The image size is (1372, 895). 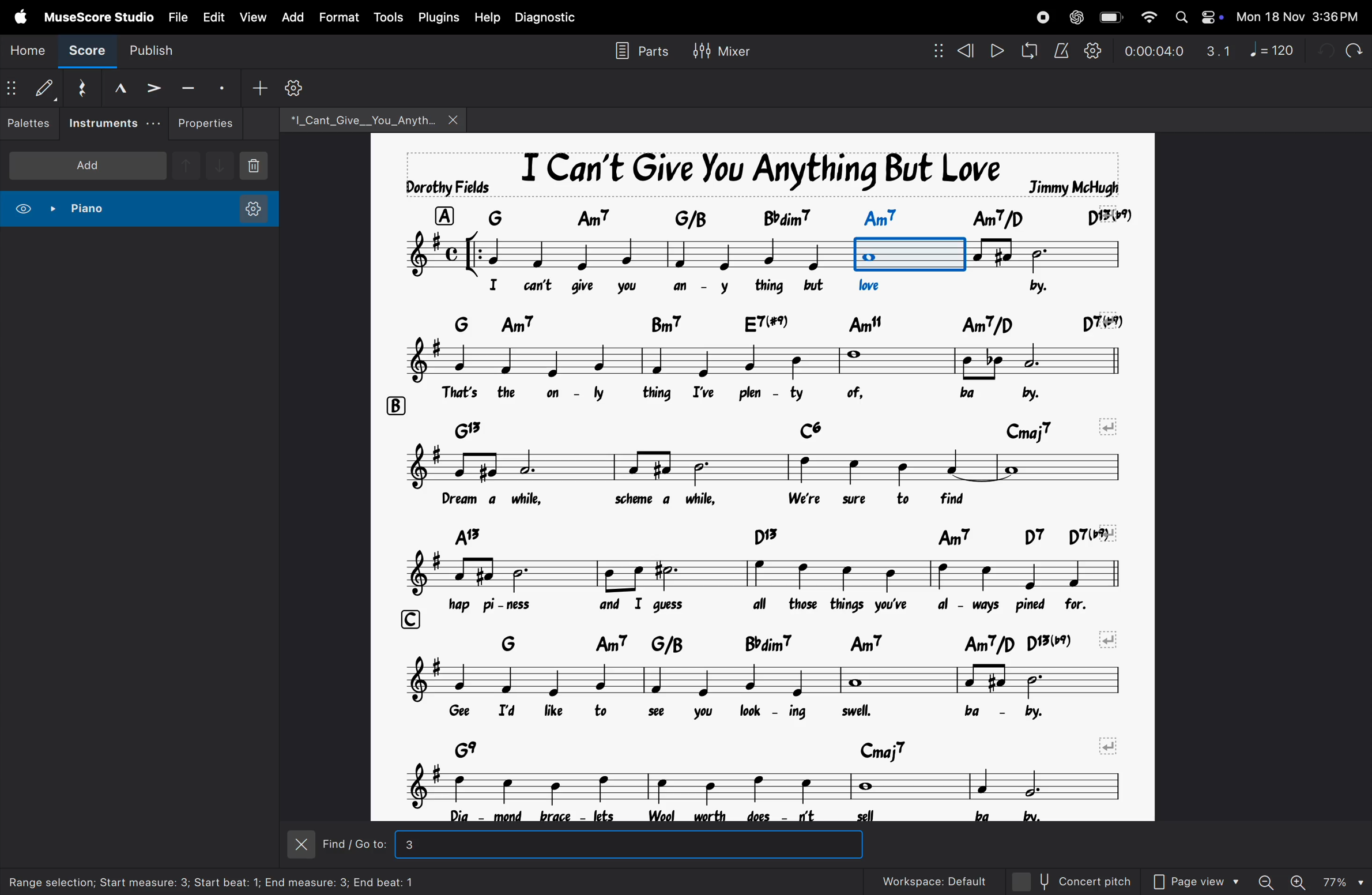 What do you see at coordinates (933, 879) in the screenshot?
I see `workspace default` at bounding box center [933, 879].